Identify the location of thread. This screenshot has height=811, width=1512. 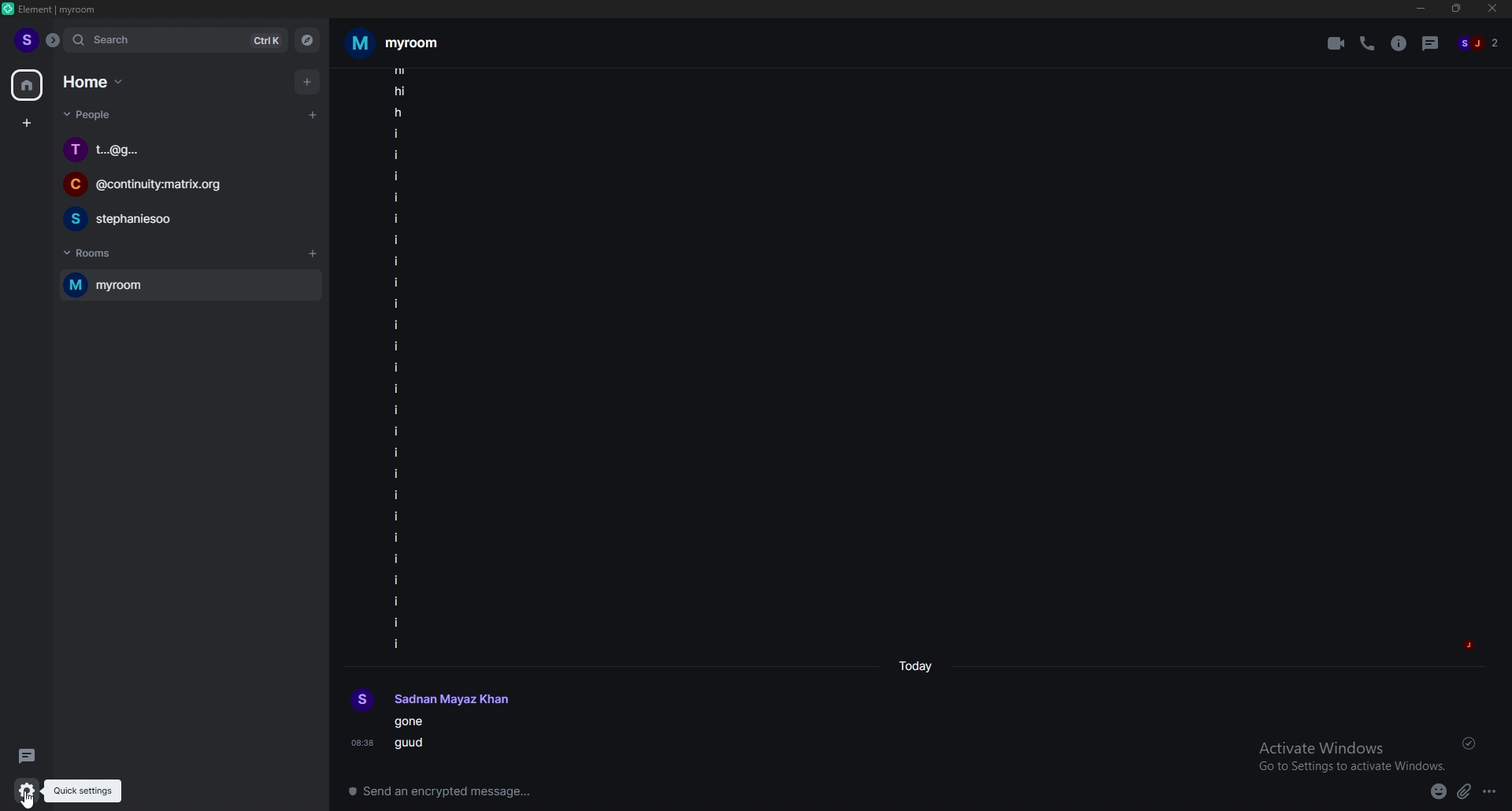
(1432, 43).